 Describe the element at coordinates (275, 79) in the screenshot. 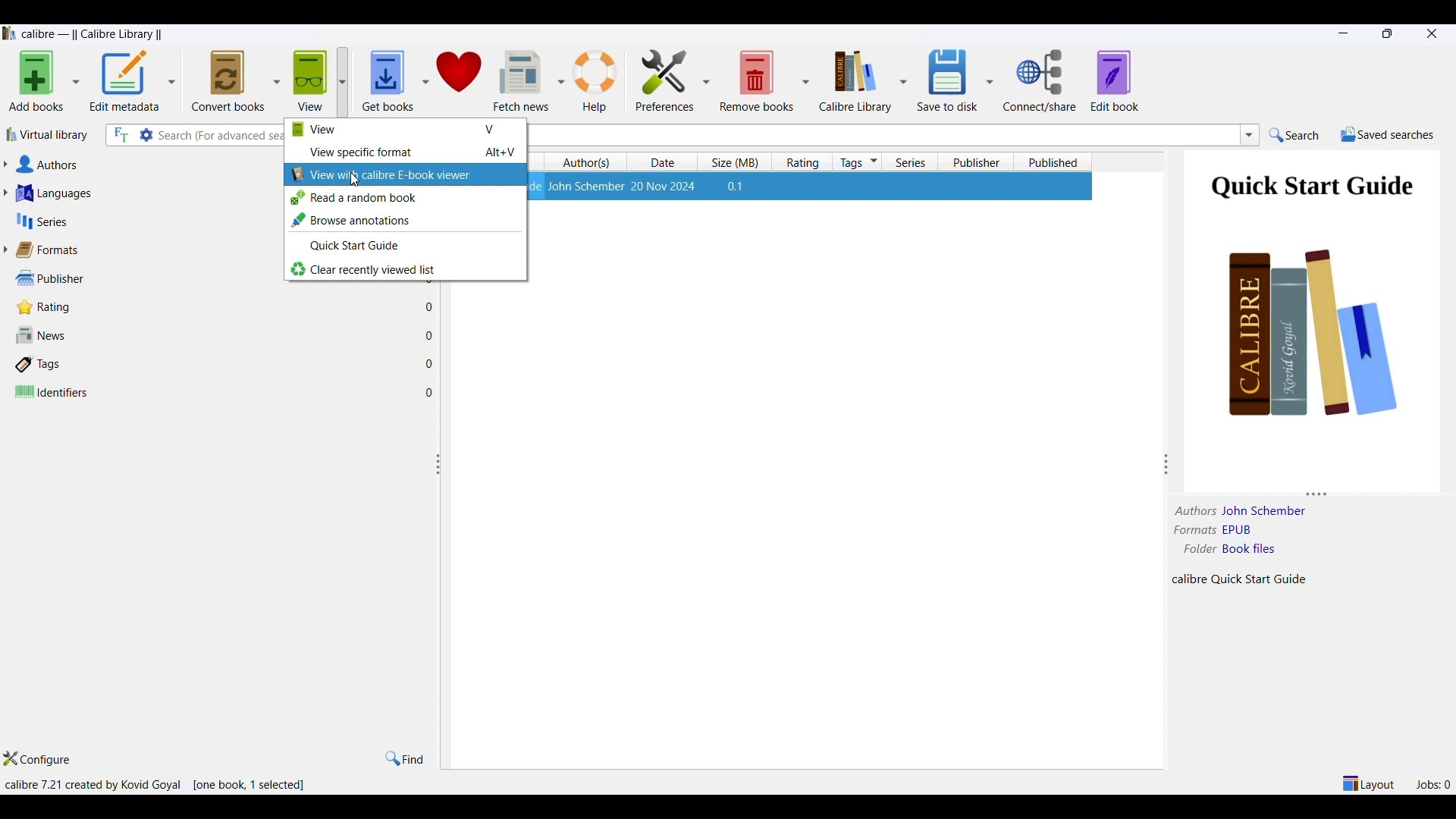

I see `convert books options dropdown button` at that location.